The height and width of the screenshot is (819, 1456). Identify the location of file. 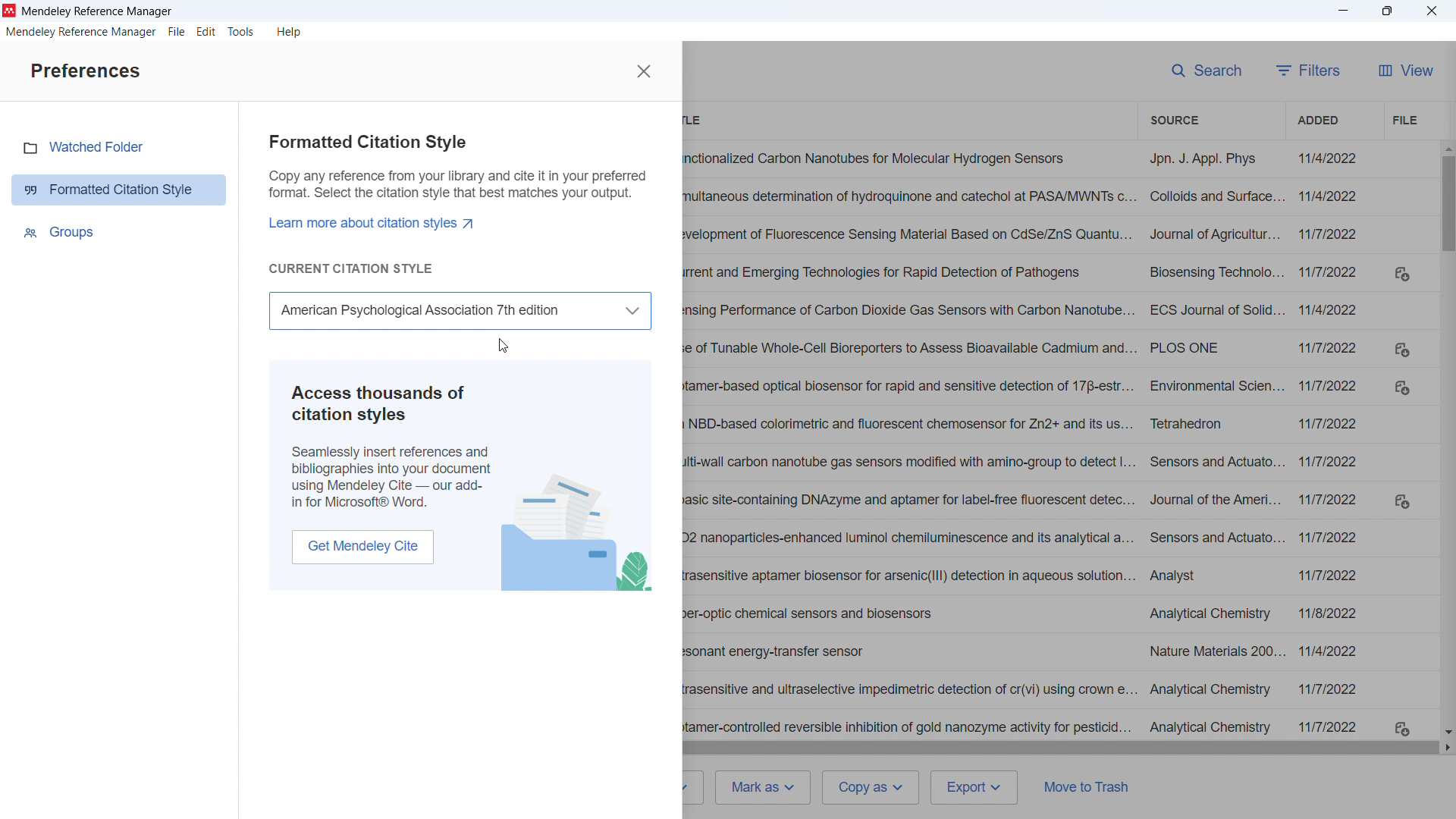
(177, 33).